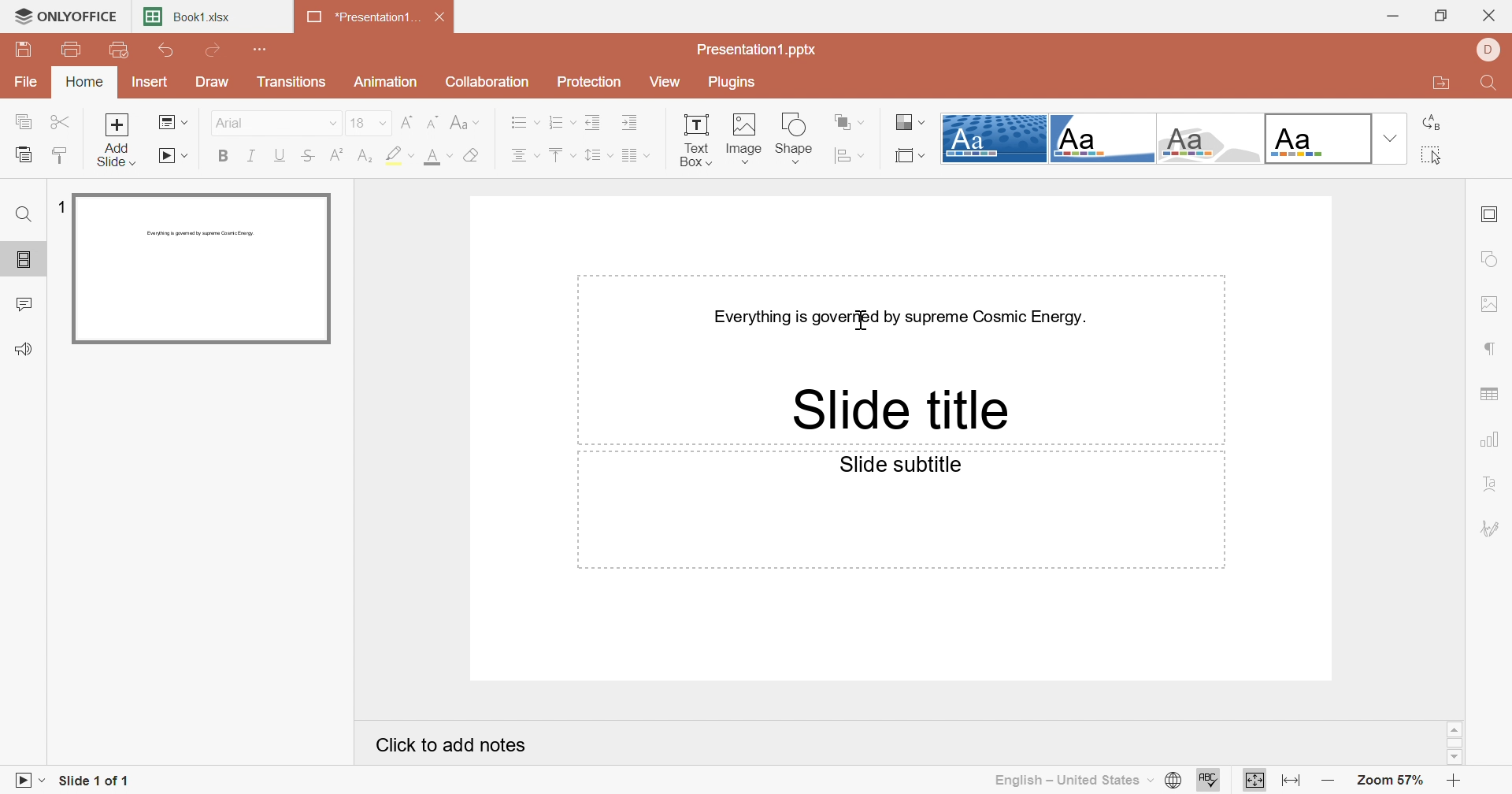 Image resolution: width=1512 pixels, height=794 pixels. Describe the element at coordinates (591, 119) in the screenshot. I see `Decrease Indent` at that location.